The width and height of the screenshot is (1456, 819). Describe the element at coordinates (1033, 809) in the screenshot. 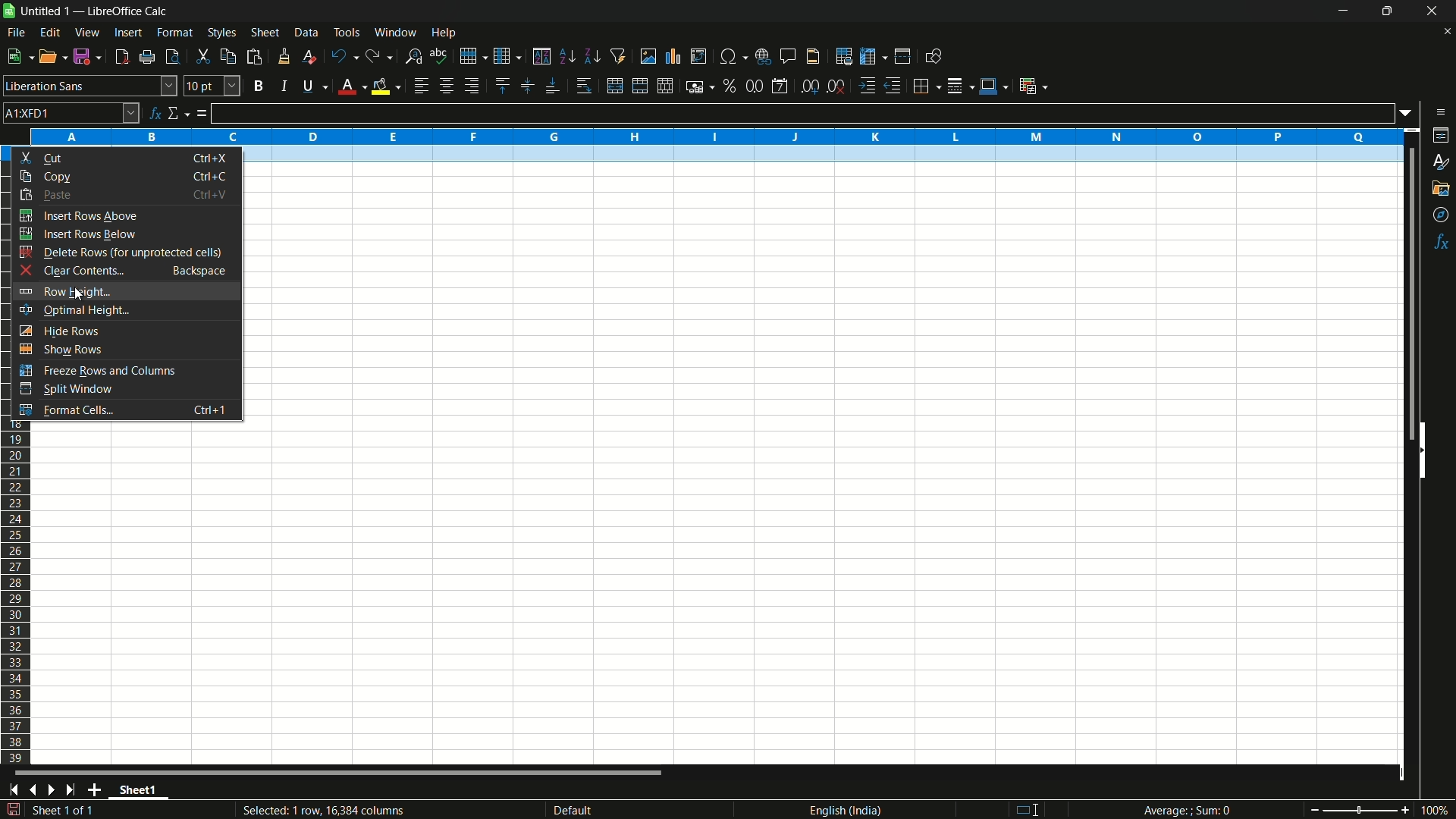

I see `standard selection` at that location.